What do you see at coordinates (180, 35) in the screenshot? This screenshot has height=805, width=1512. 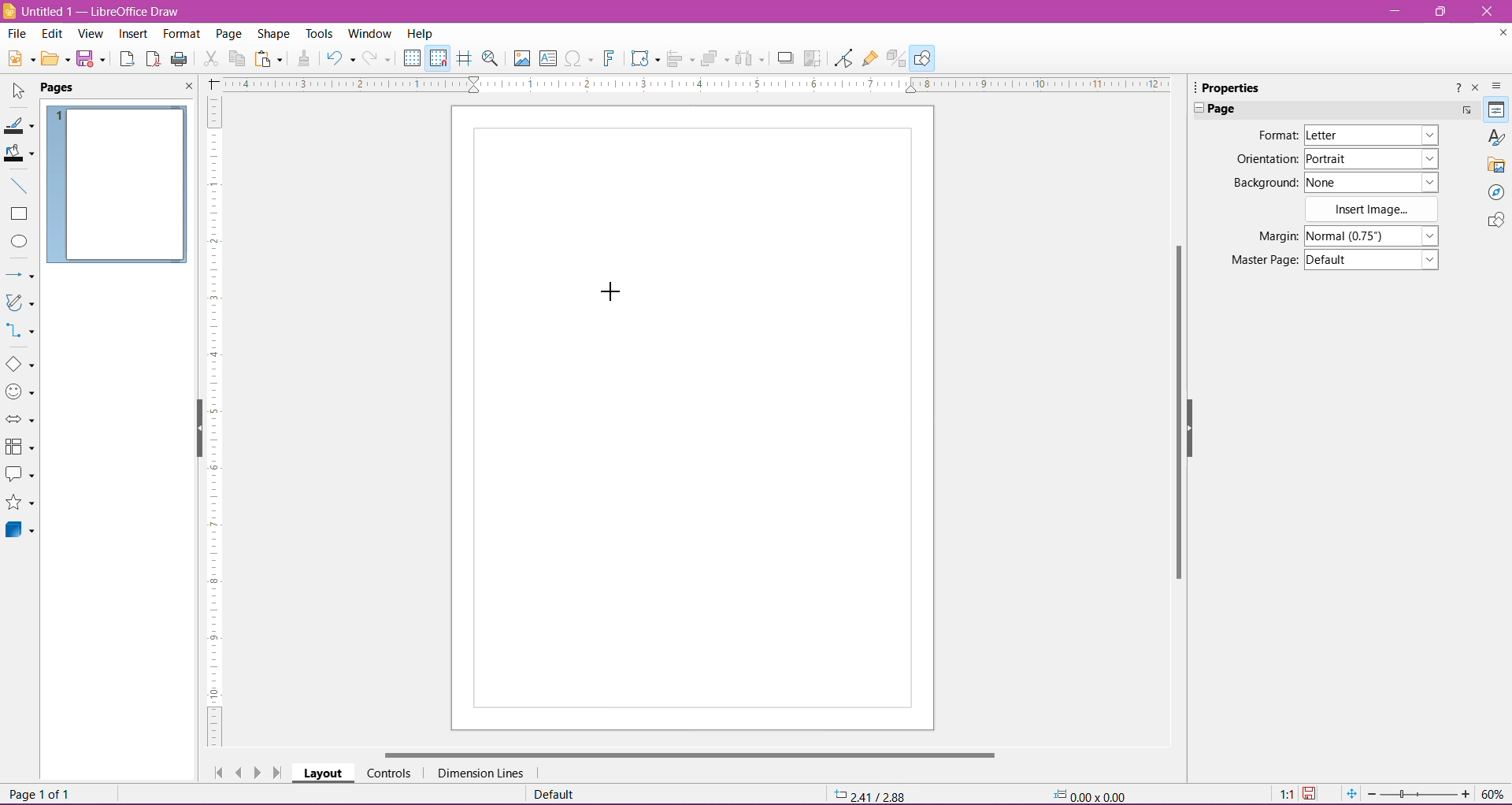 I see `Format` at bounding box center [180, 35].